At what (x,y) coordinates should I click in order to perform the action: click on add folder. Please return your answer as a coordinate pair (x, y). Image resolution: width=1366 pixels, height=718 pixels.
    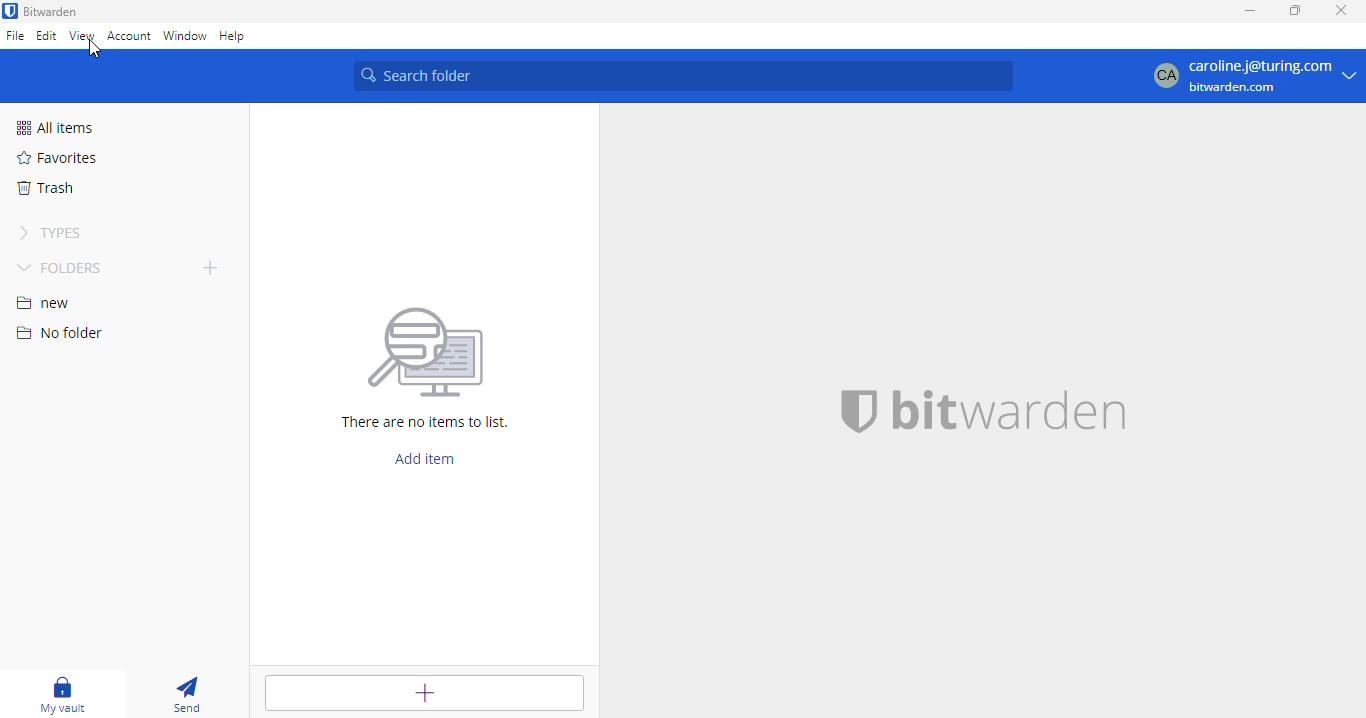
    Looking at the image, I should click on (212, 269).